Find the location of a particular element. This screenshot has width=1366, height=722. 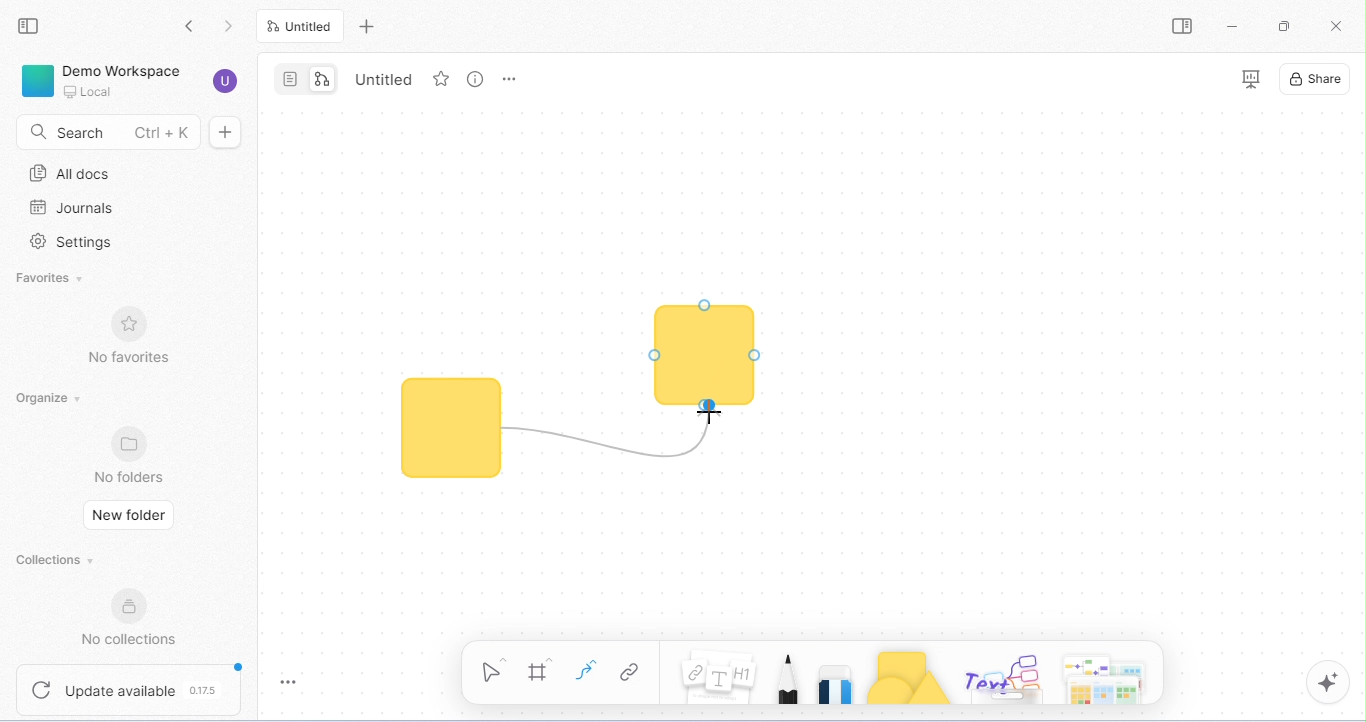

others is located at coordinates (1006, 678).